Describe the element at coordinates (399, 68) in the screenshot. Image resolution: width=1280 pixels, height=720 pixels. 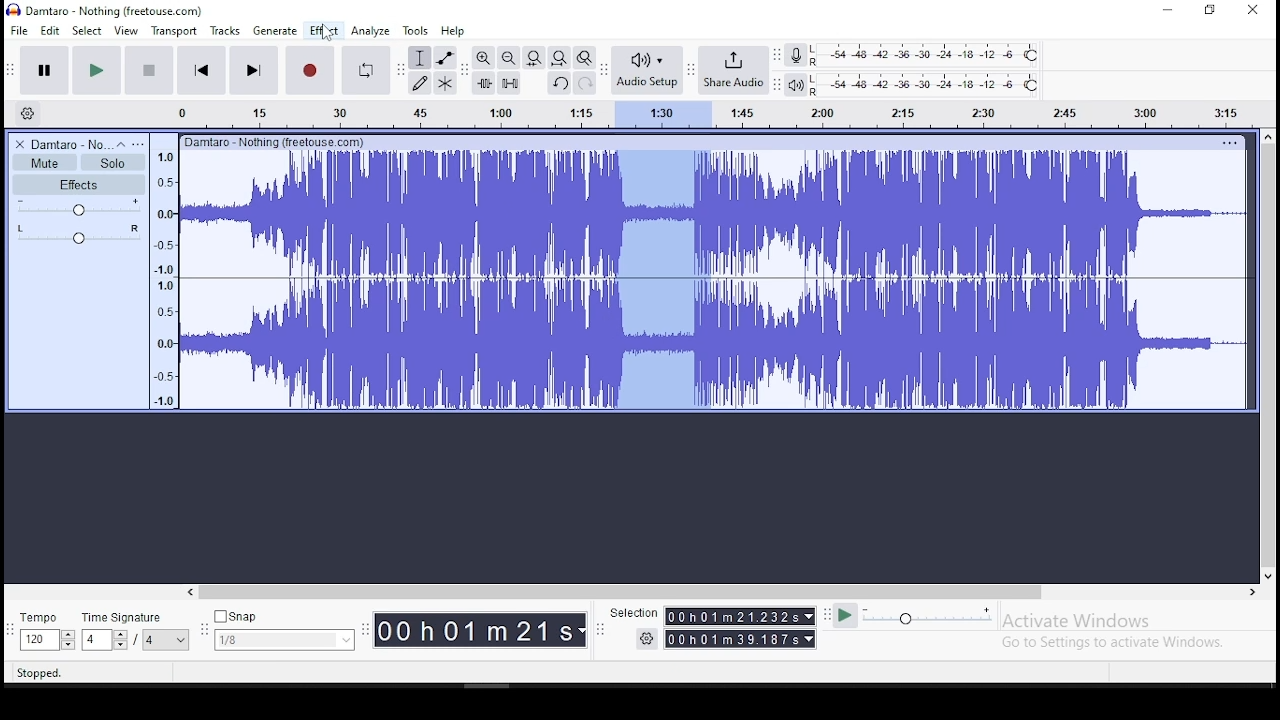
I see `` at that location.